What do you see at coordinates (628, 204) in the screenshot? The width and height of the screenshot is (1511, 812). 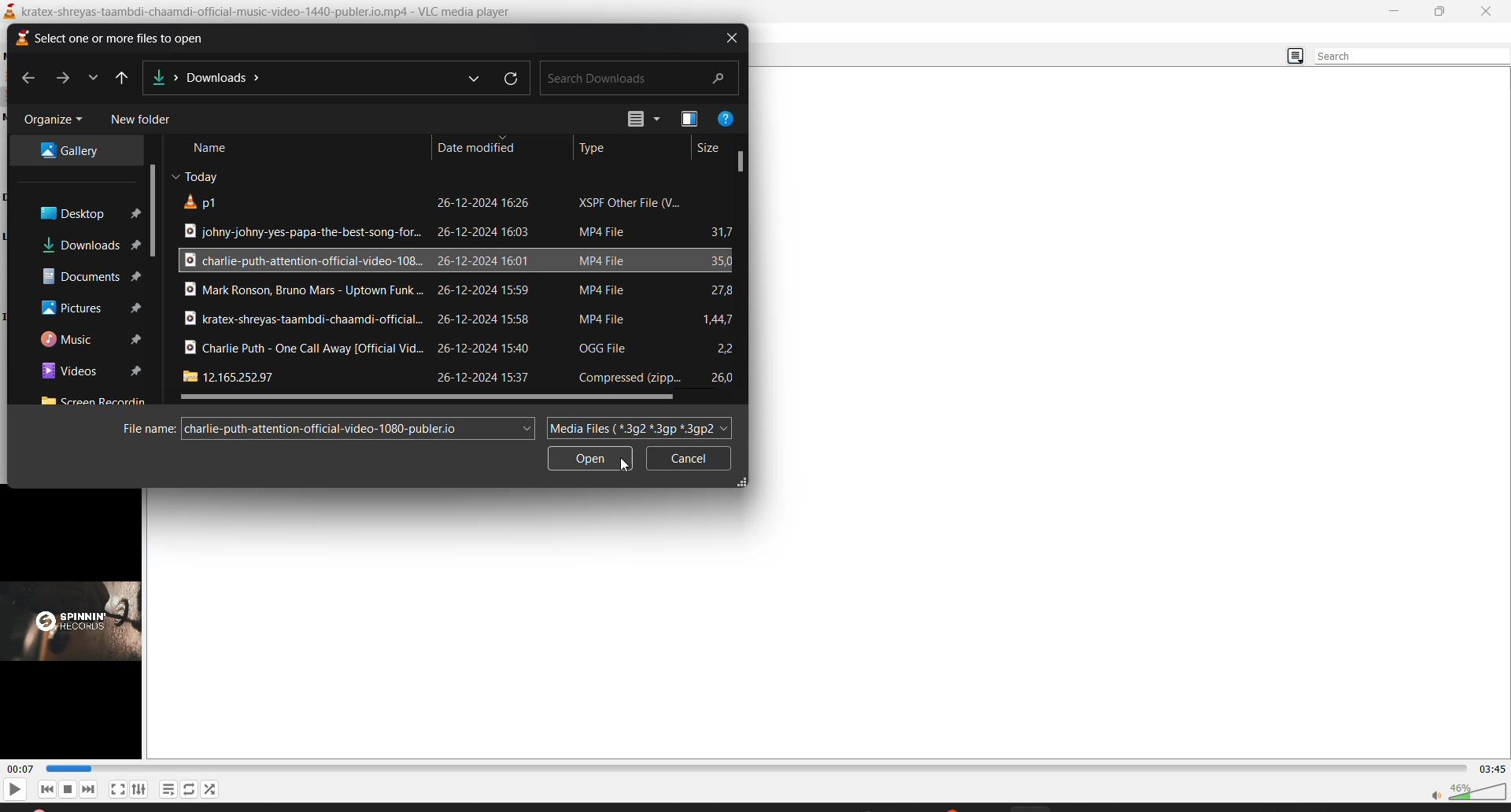 I see `file type` at bounding box center [628, 204].